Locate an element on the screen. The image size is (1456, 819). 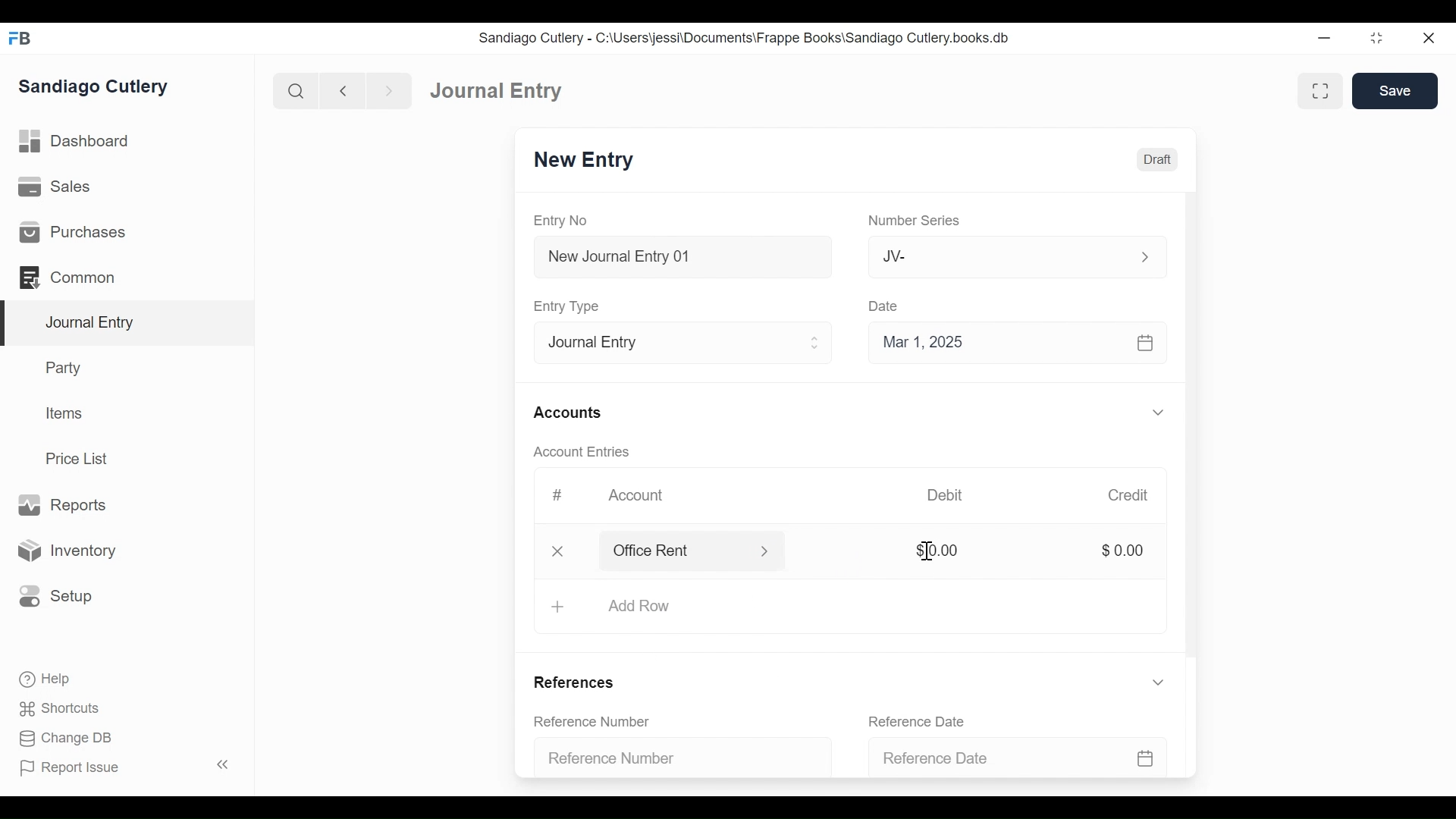
toggle between form and full width is located at coordinates (1323, 92).